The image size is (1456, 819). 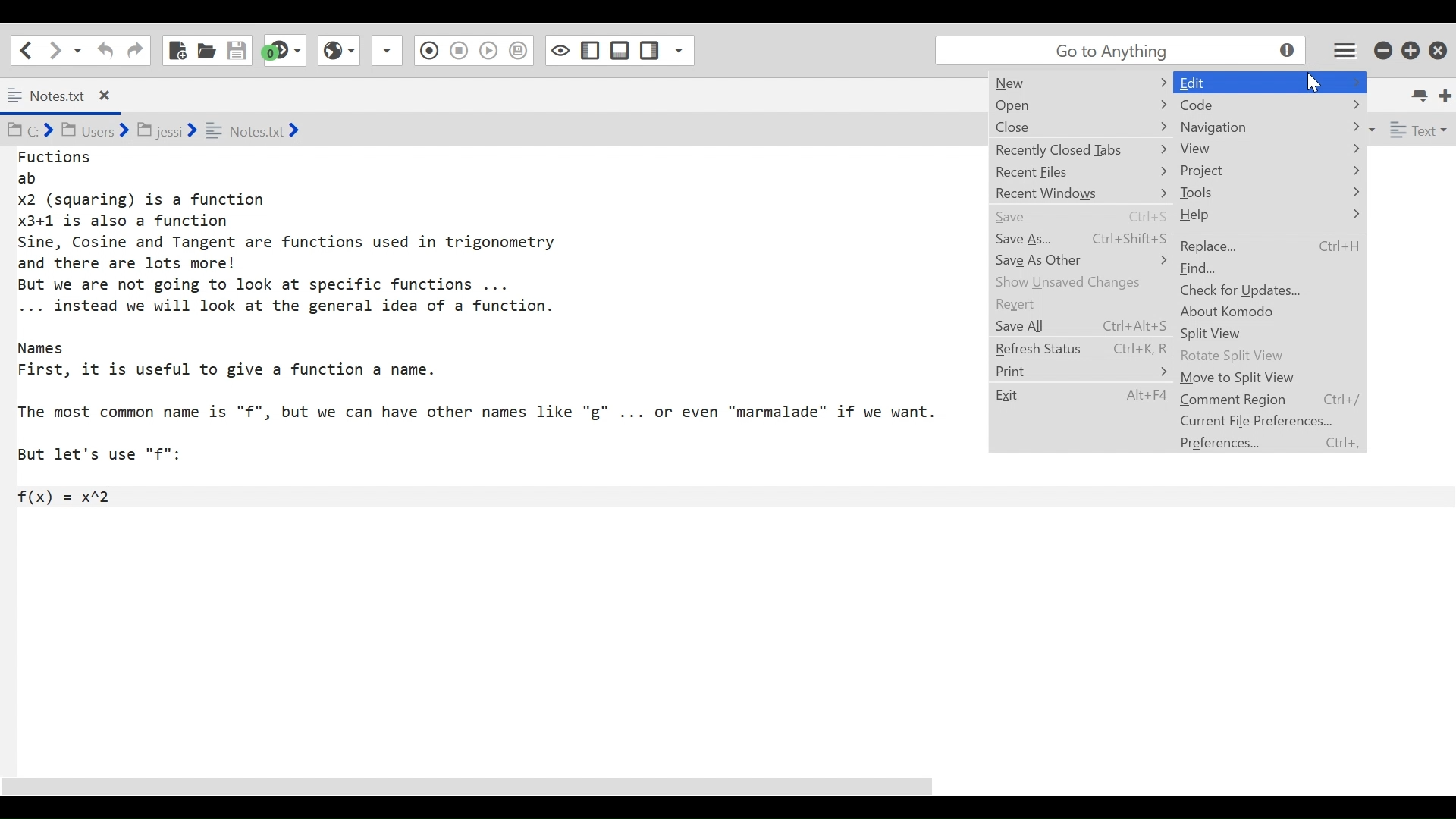 I want to click on Notes.txt, so click(x=71, y=96).